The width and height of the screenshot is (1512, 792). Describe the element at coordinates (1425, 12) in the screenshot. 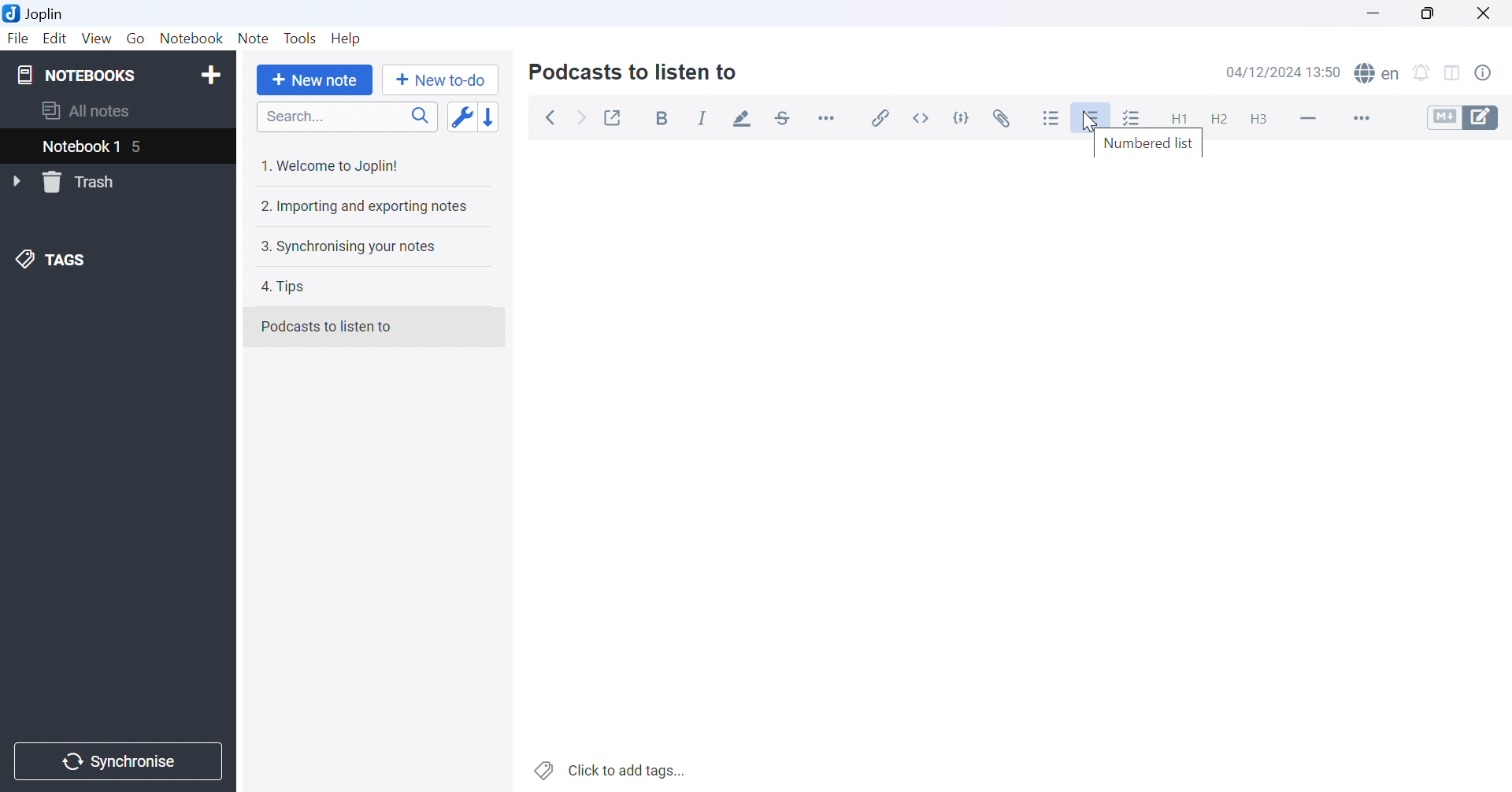

I see `Restore Down` at that location.